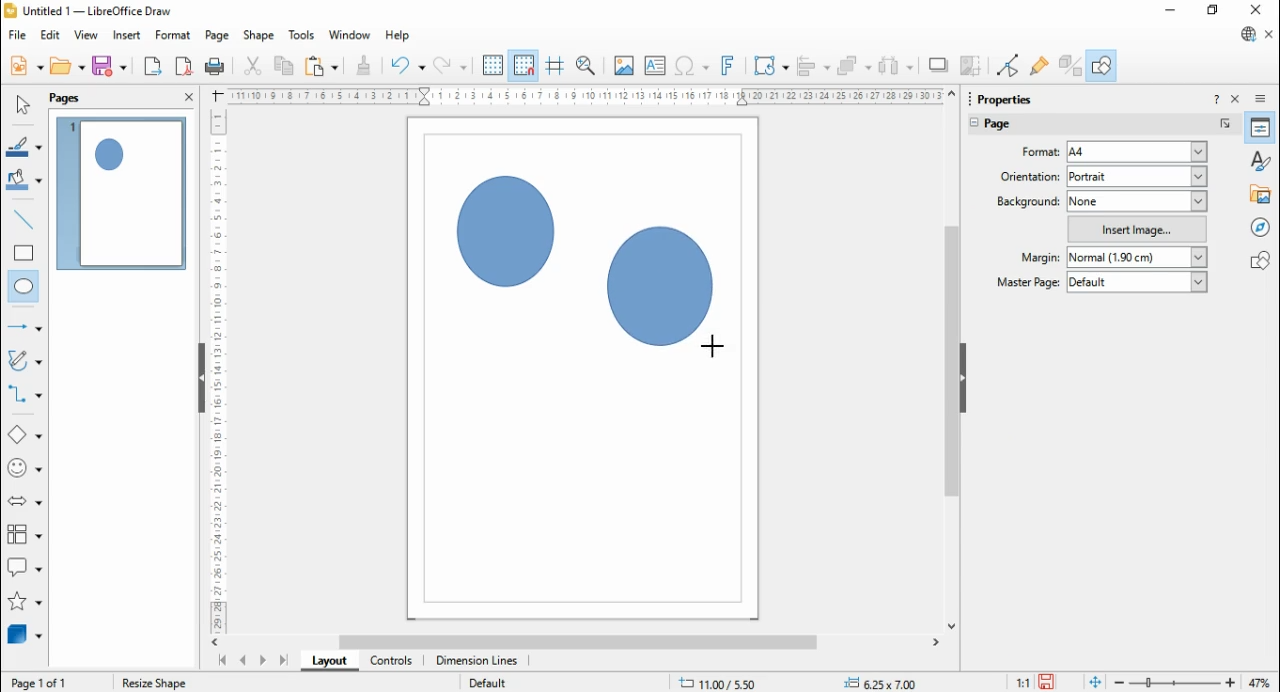 Image resolution: width=1280 pixels, height=692 pixels. Describe the element at coordinates (1137, 281) in the screenshot. I see `default` at that location.